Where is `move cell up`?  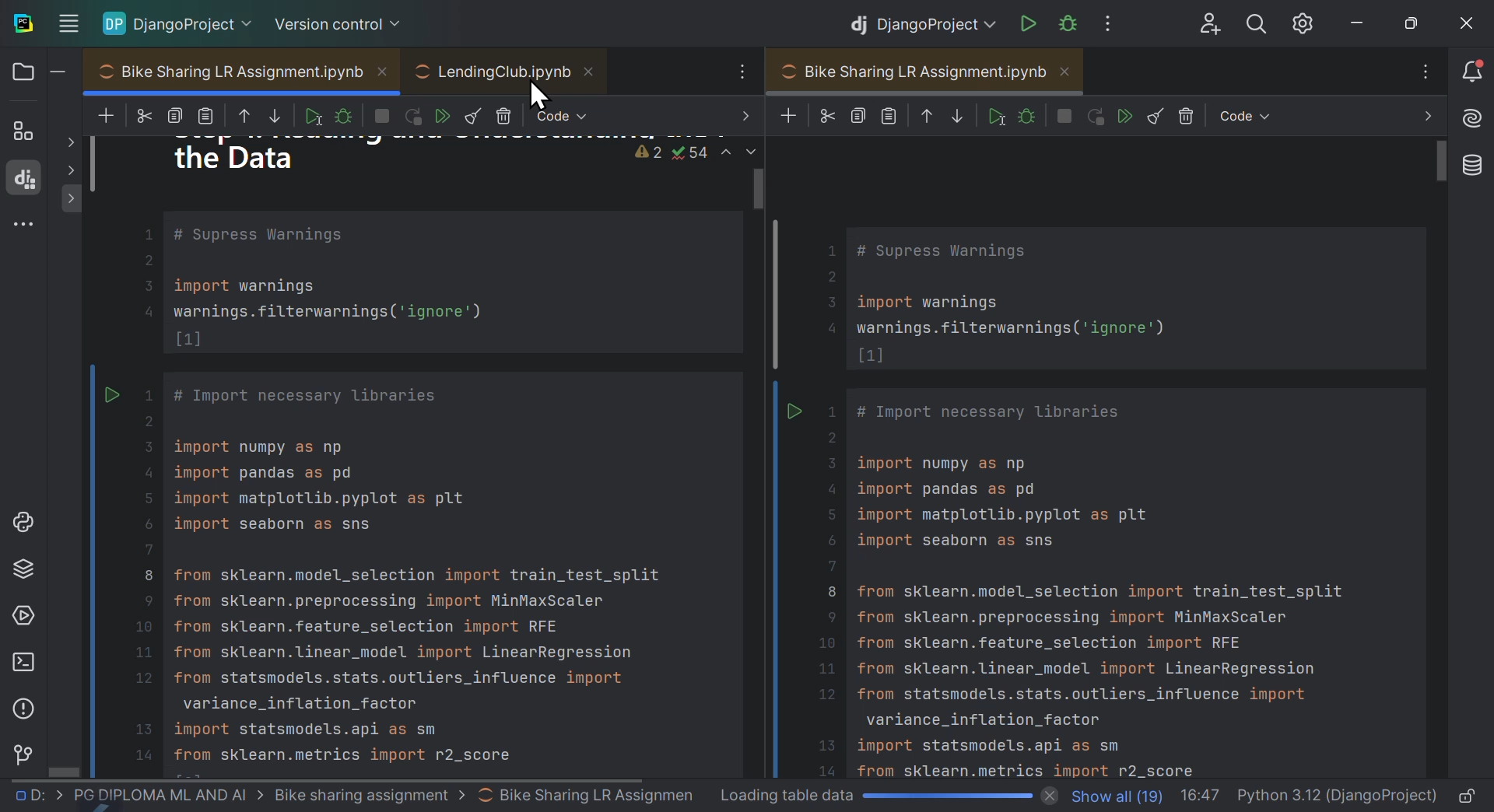
move cell up is located at coordinates (246, 118).